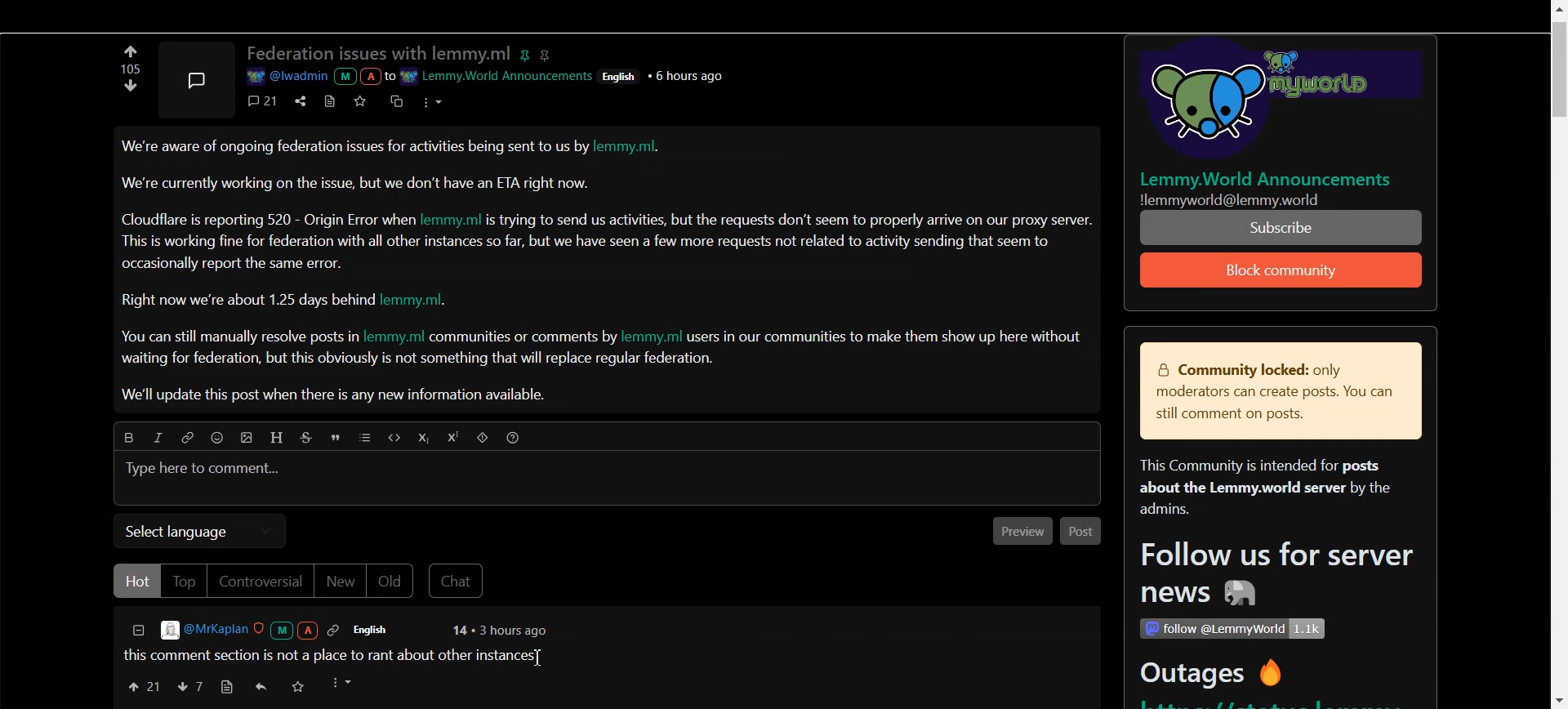 This screenshot has width=1568, height=709. I want to click on comment, so click(264, 100).